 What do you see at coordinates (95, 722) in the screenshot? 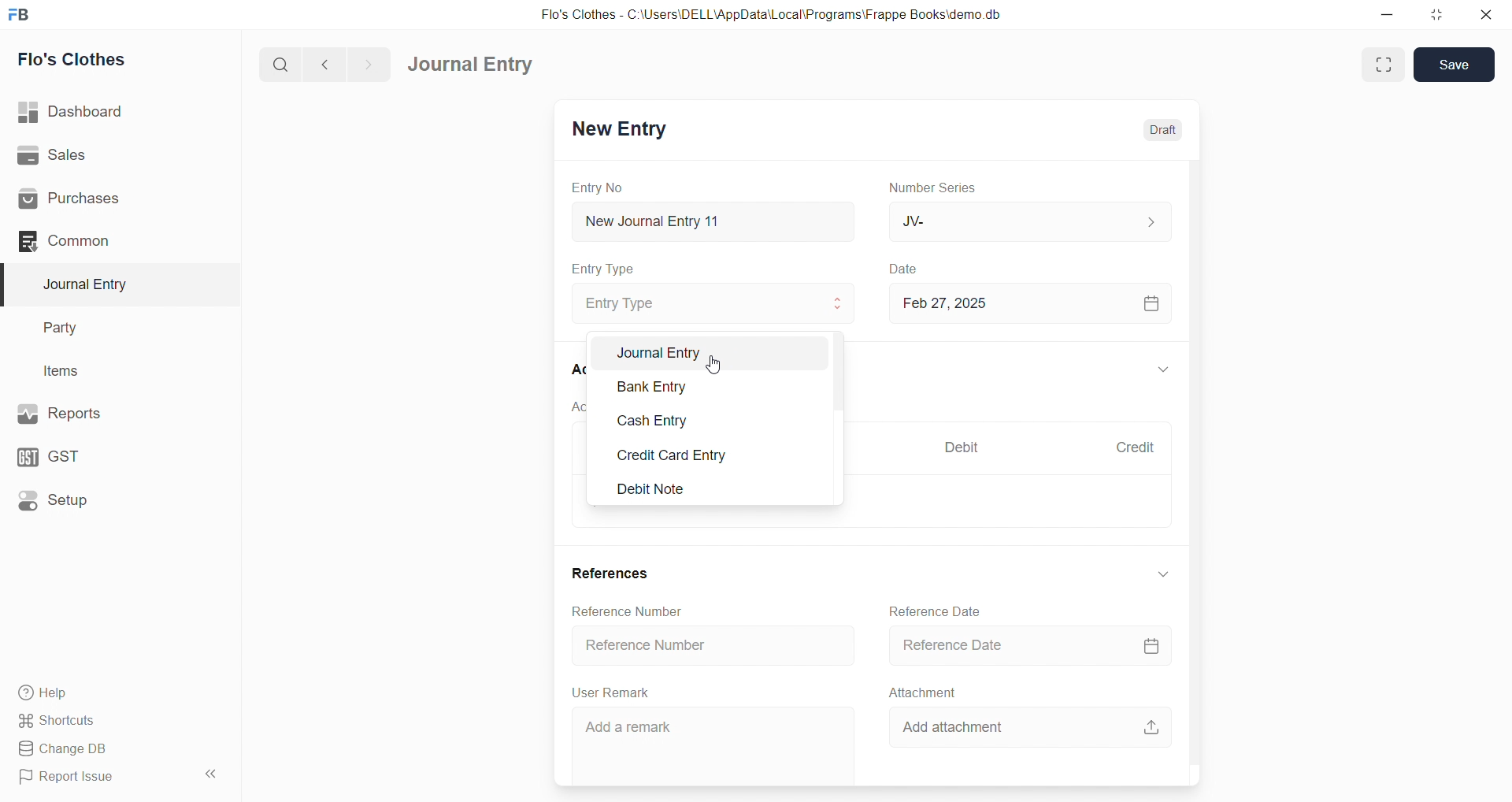
I see `Shortcuts` at bounding box center [95, 722].